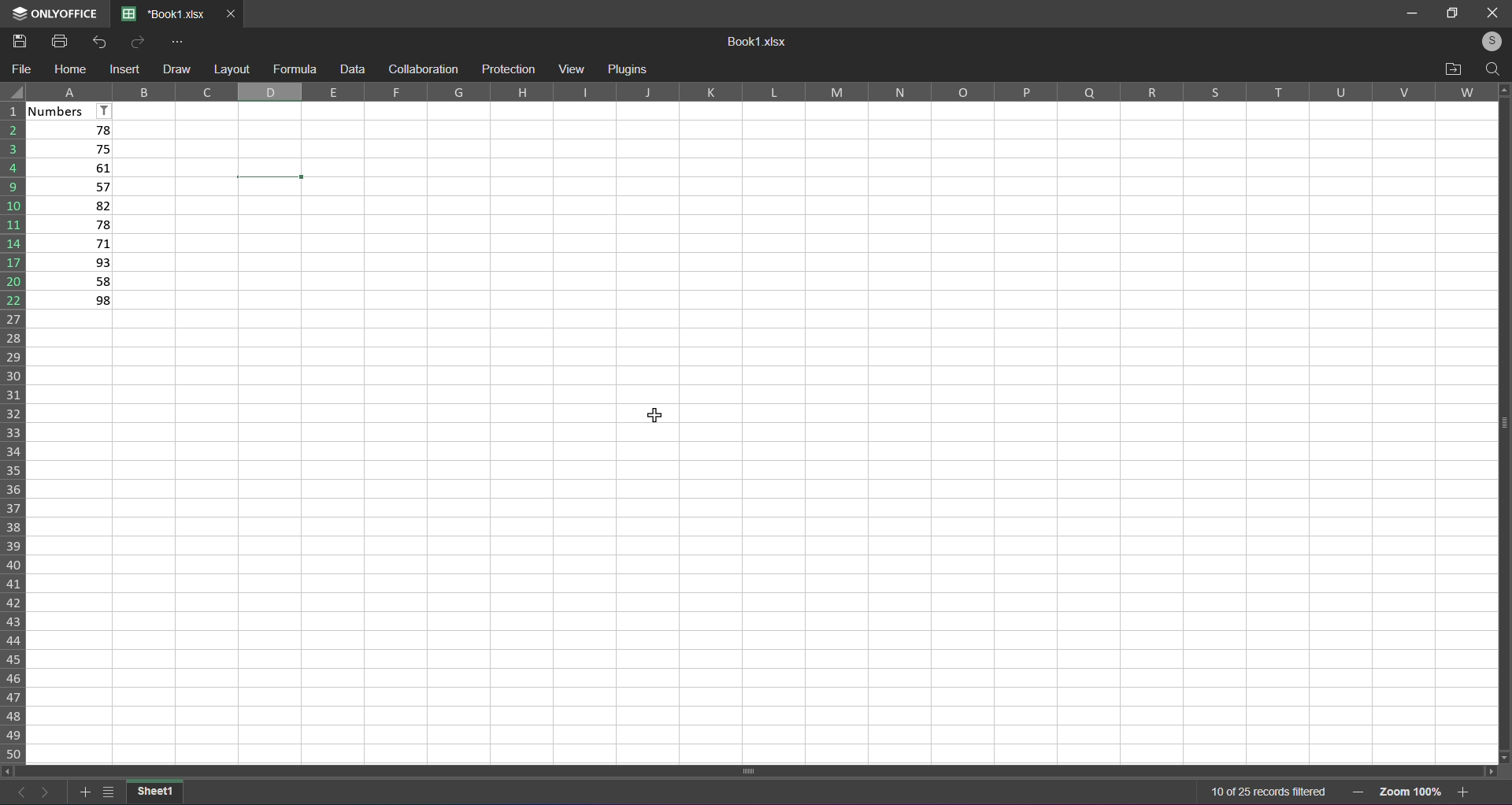 The width and height of the screenshot is (1512, 805). What do you see at coordinates (570, 68) in the screenshot?
I see `view` at bounding box center [570, 68].